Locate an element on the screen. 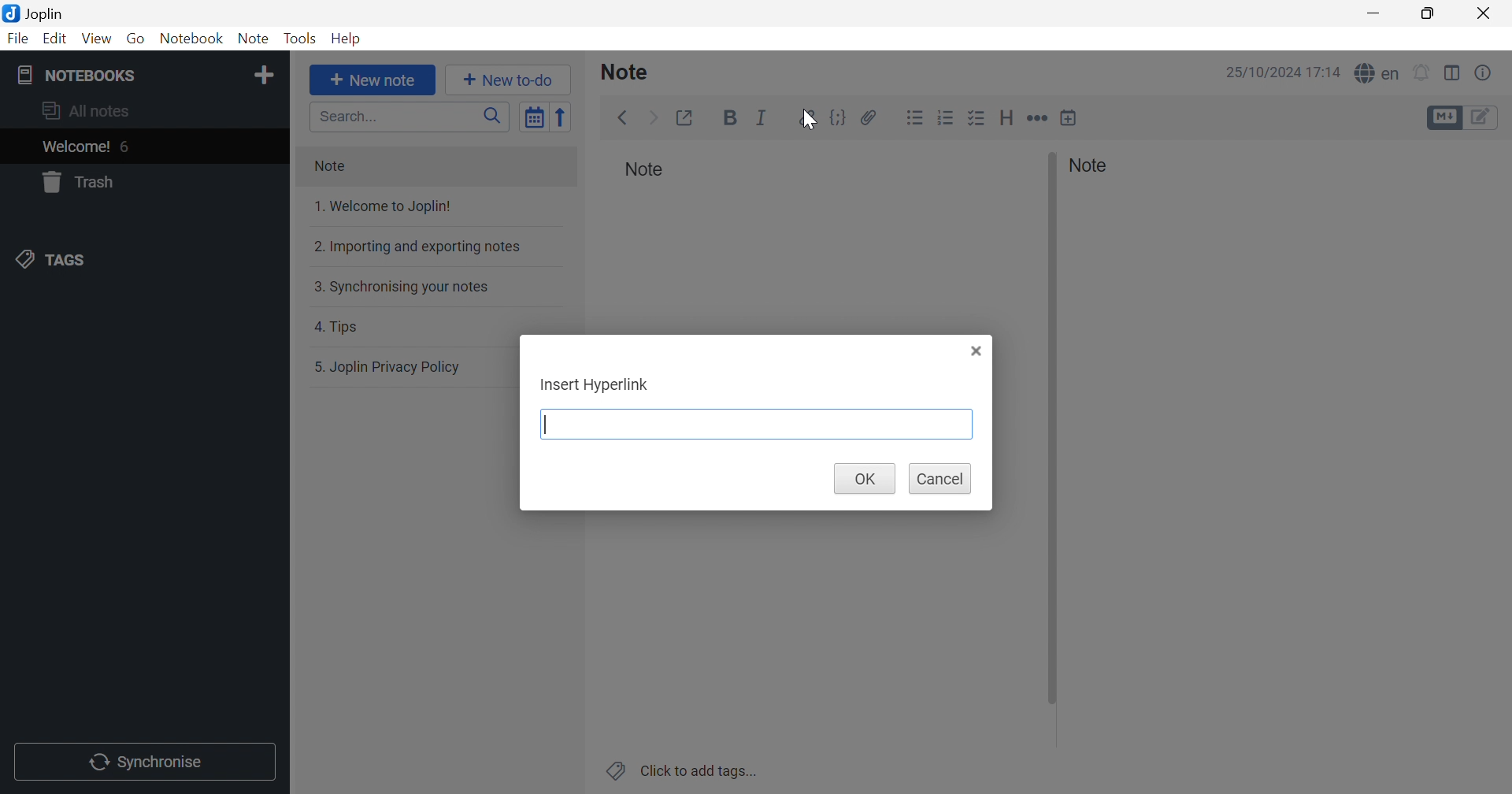  Heading is located at coordinates (1007, 118).